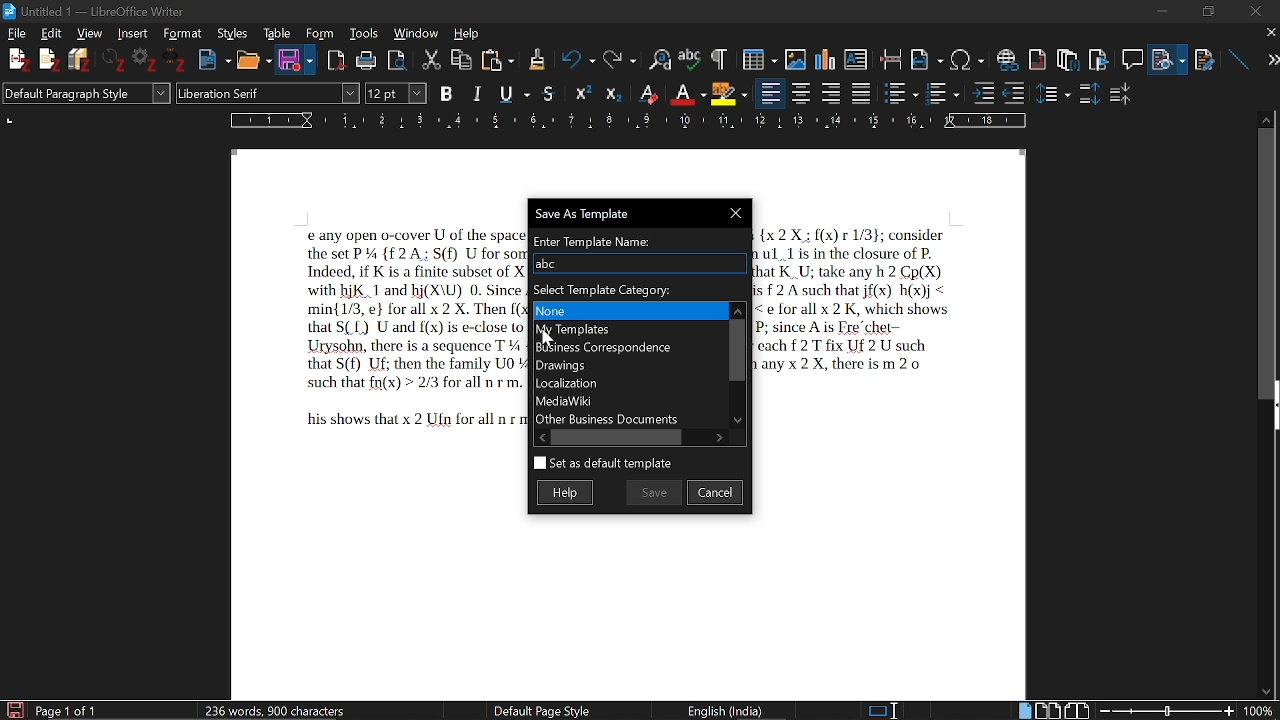 Image resolution: width=1280 pixels, height=720 pixels. Describe the element at coordinates (833, 92) in the screenshot. I see `Align right` at that location.